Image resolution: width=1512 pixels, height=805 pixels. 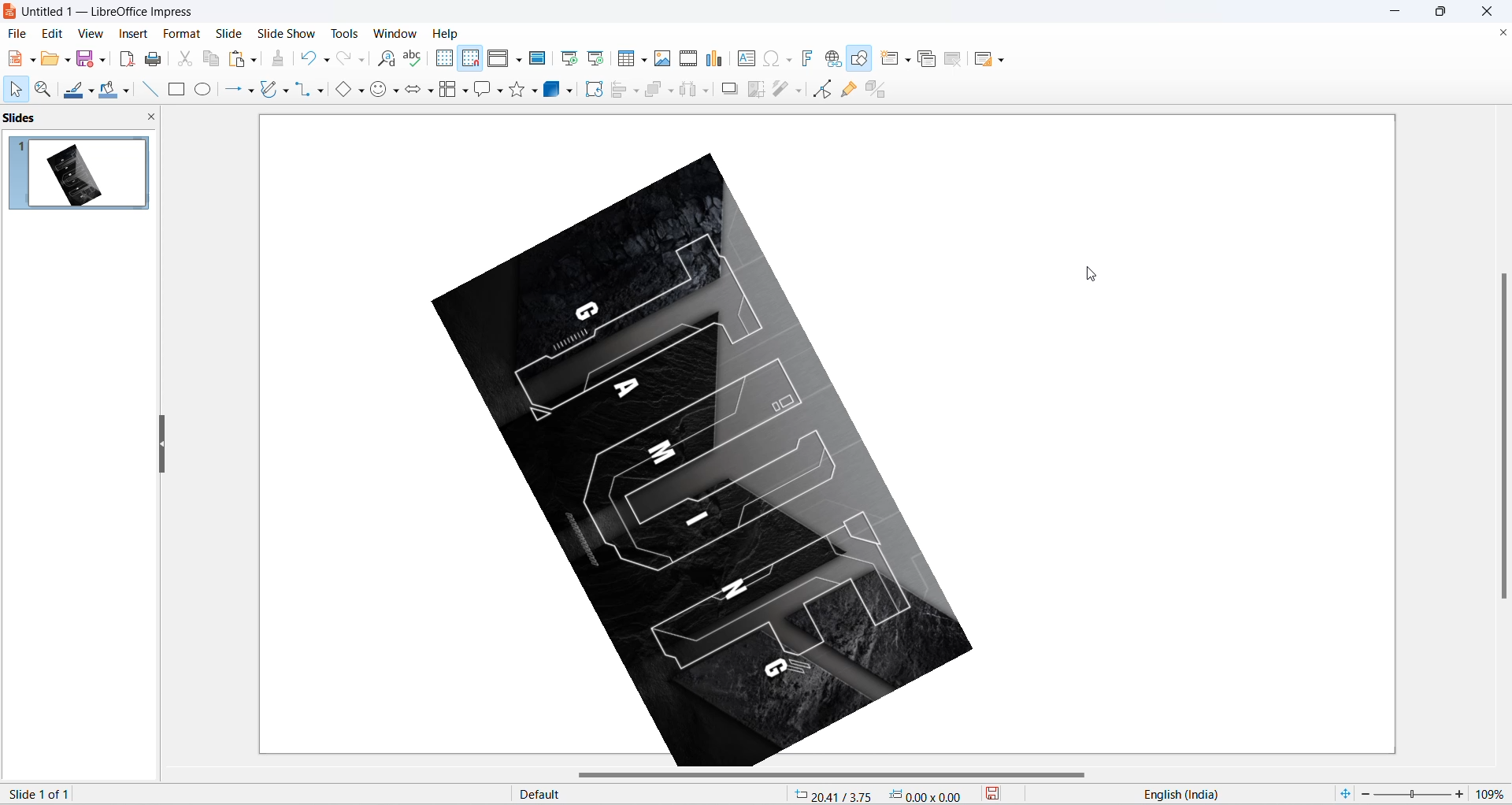 I want to click on curve and polygons, so click(x=286, y=92).